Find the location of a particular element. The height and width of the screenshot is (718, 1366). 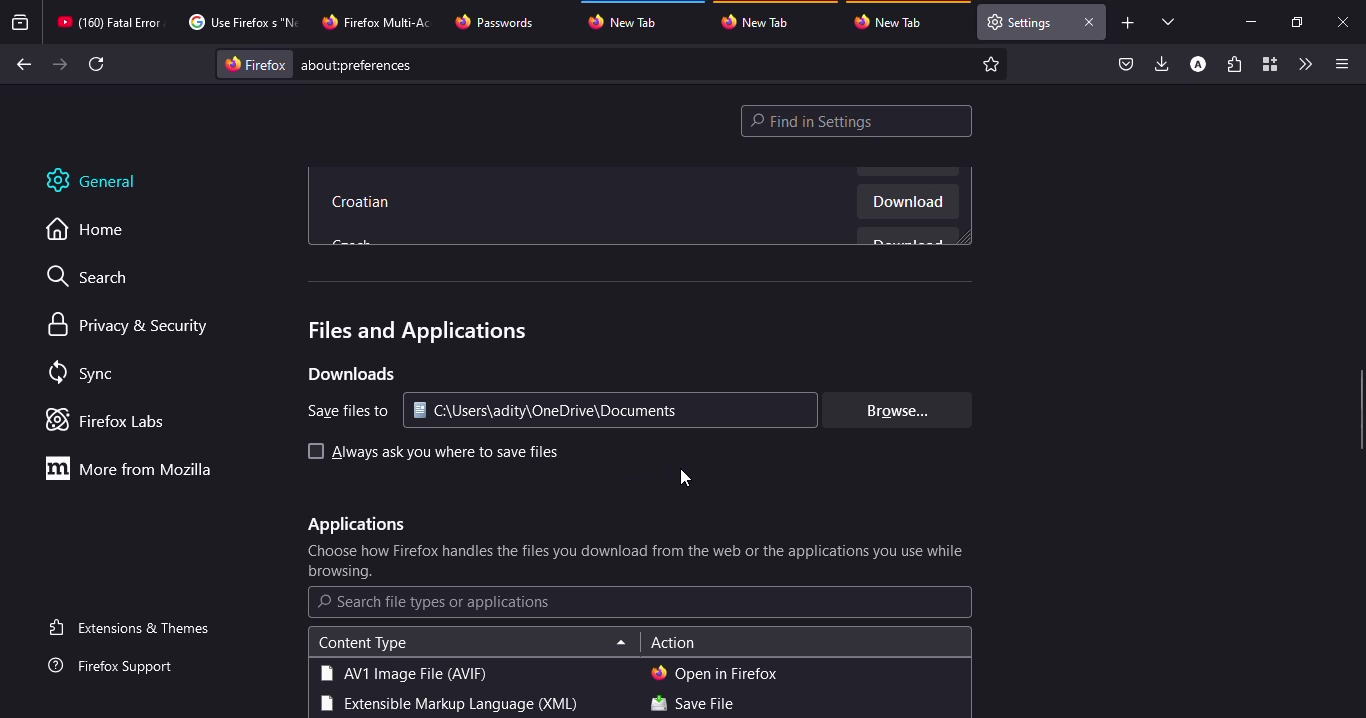

tab is located at coordinates (240, 22).